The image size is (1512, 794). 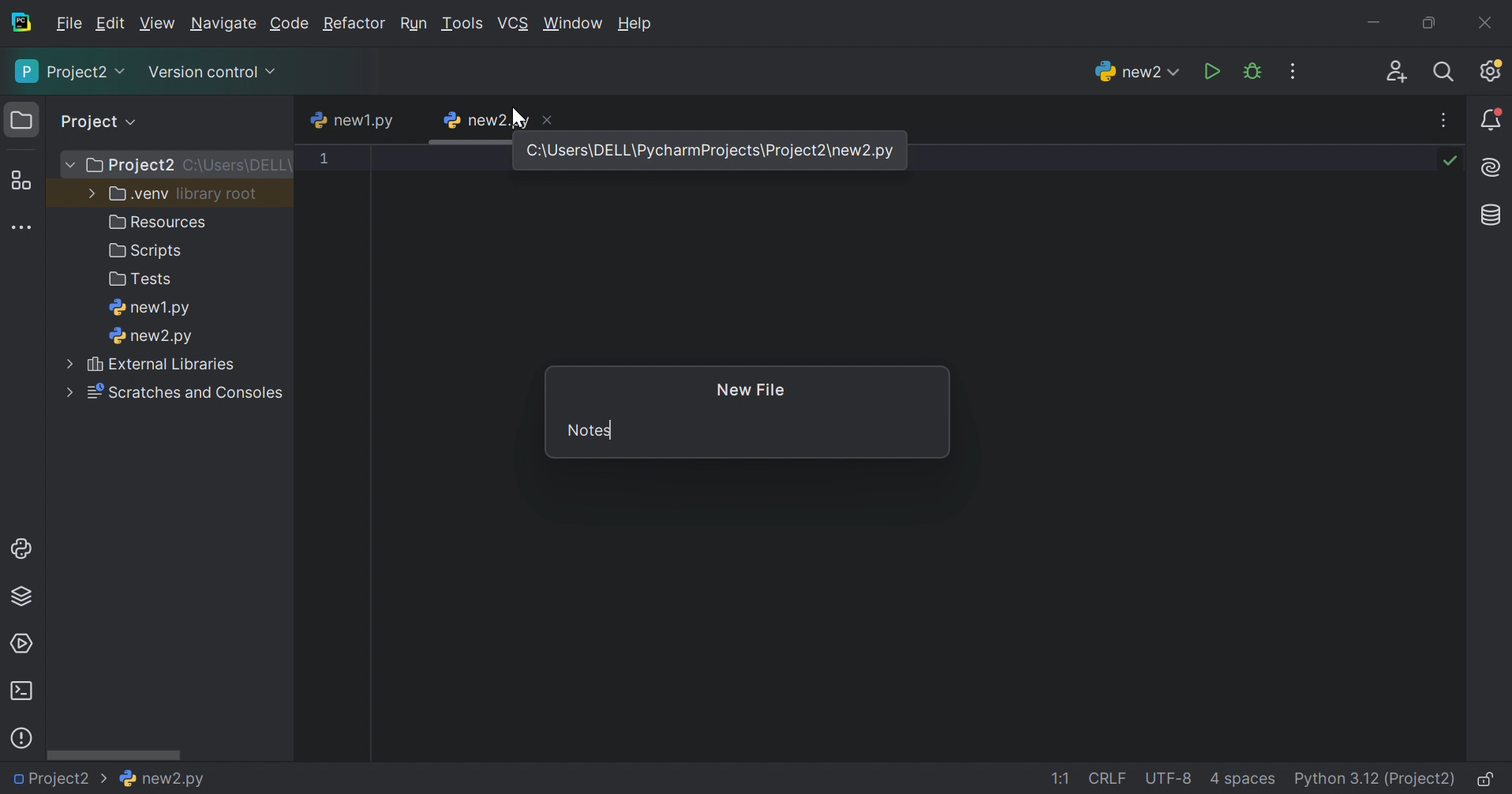 What do you see at coordinates (714, 151) in the screenshot?
I see `C\Users\DELL\PyCharmProject2\new.py` at bounding box center [714, 151].